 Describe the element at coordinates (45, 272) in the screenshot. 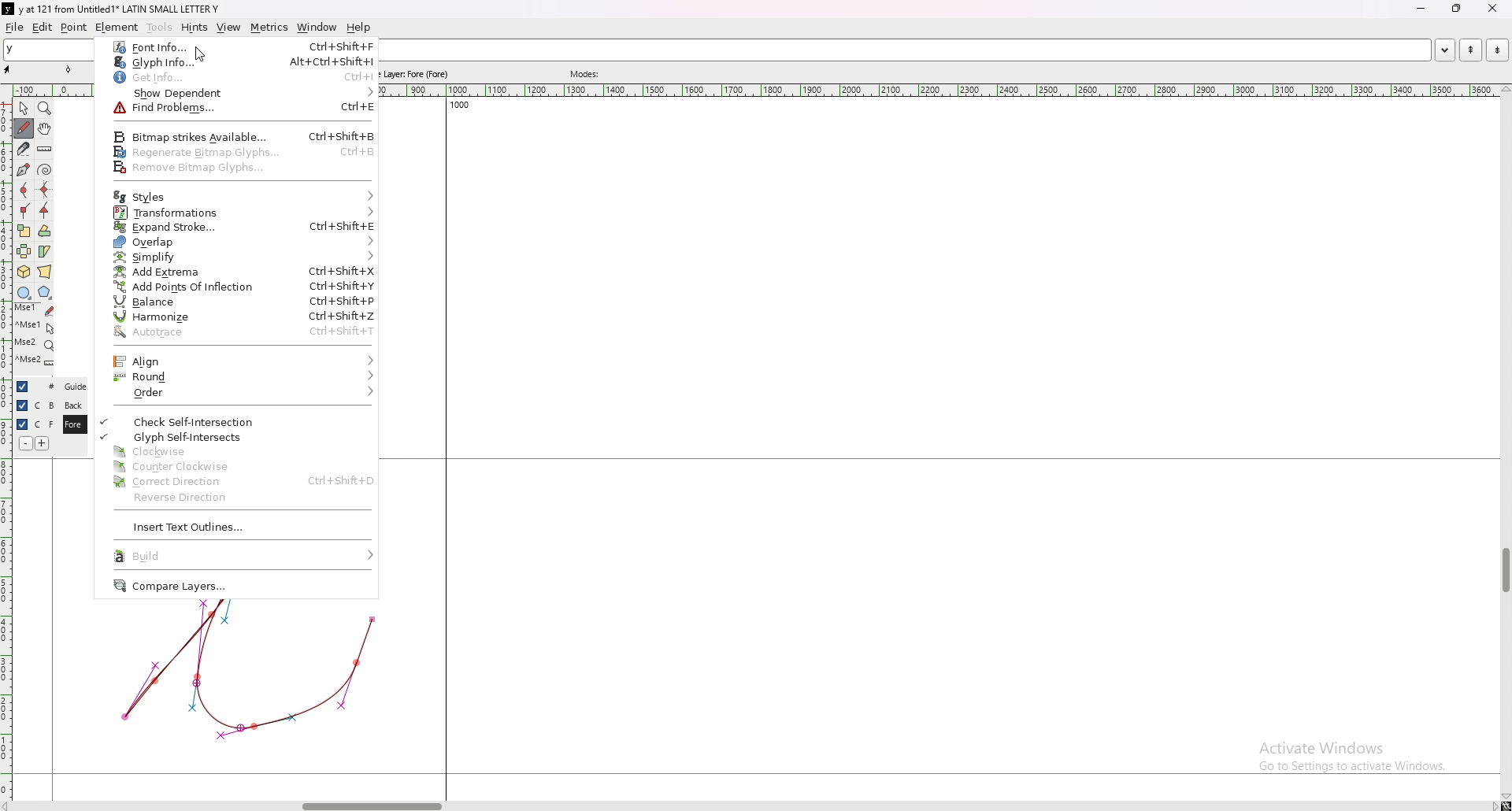

I see `perform a perspective transformation` at that location.